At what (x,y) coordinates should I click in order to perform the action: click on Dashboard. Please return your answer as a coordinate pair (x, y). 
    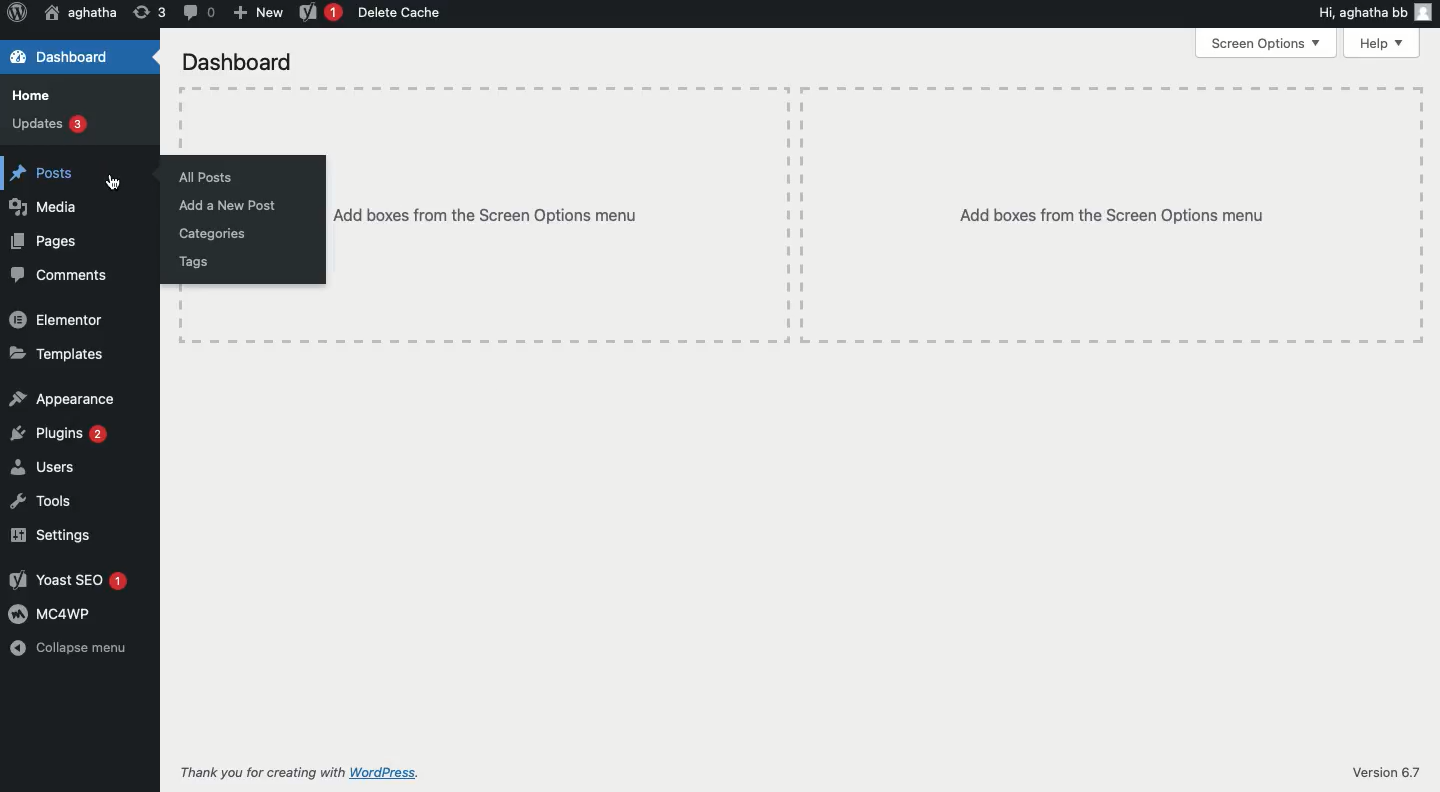
    Looking at the image, I should click on (65, 58).